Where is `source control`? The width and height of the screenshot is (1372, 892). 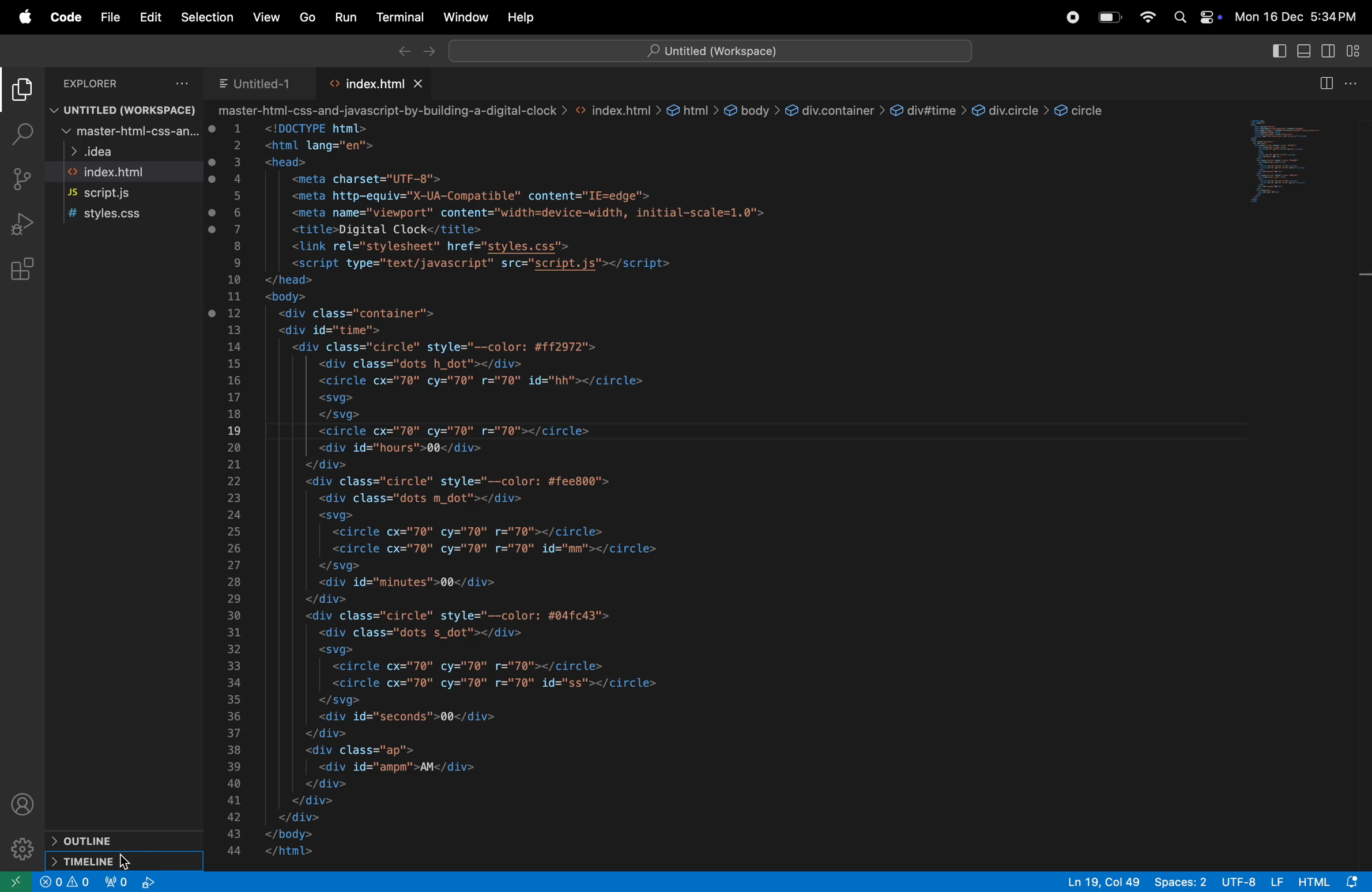 source control is located at coordinates (21, 176).